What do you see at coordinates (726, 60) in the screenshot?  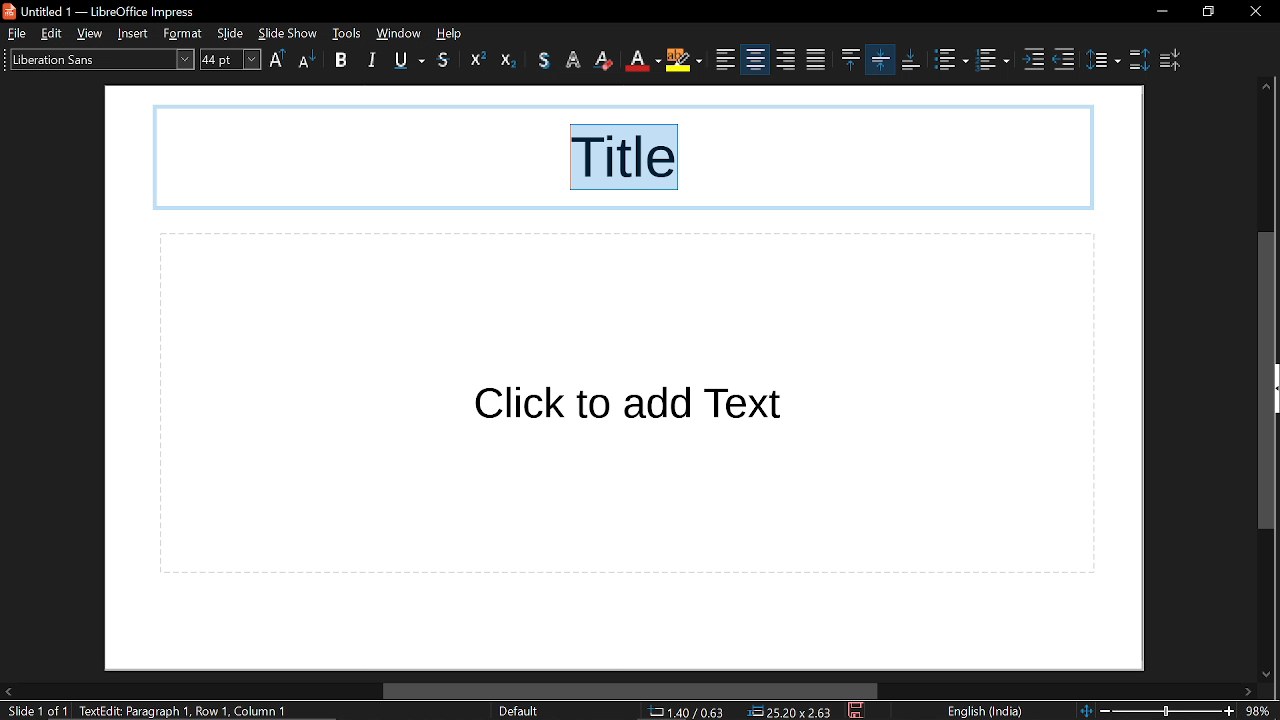 I see `center` at bounding box center [726, 60].